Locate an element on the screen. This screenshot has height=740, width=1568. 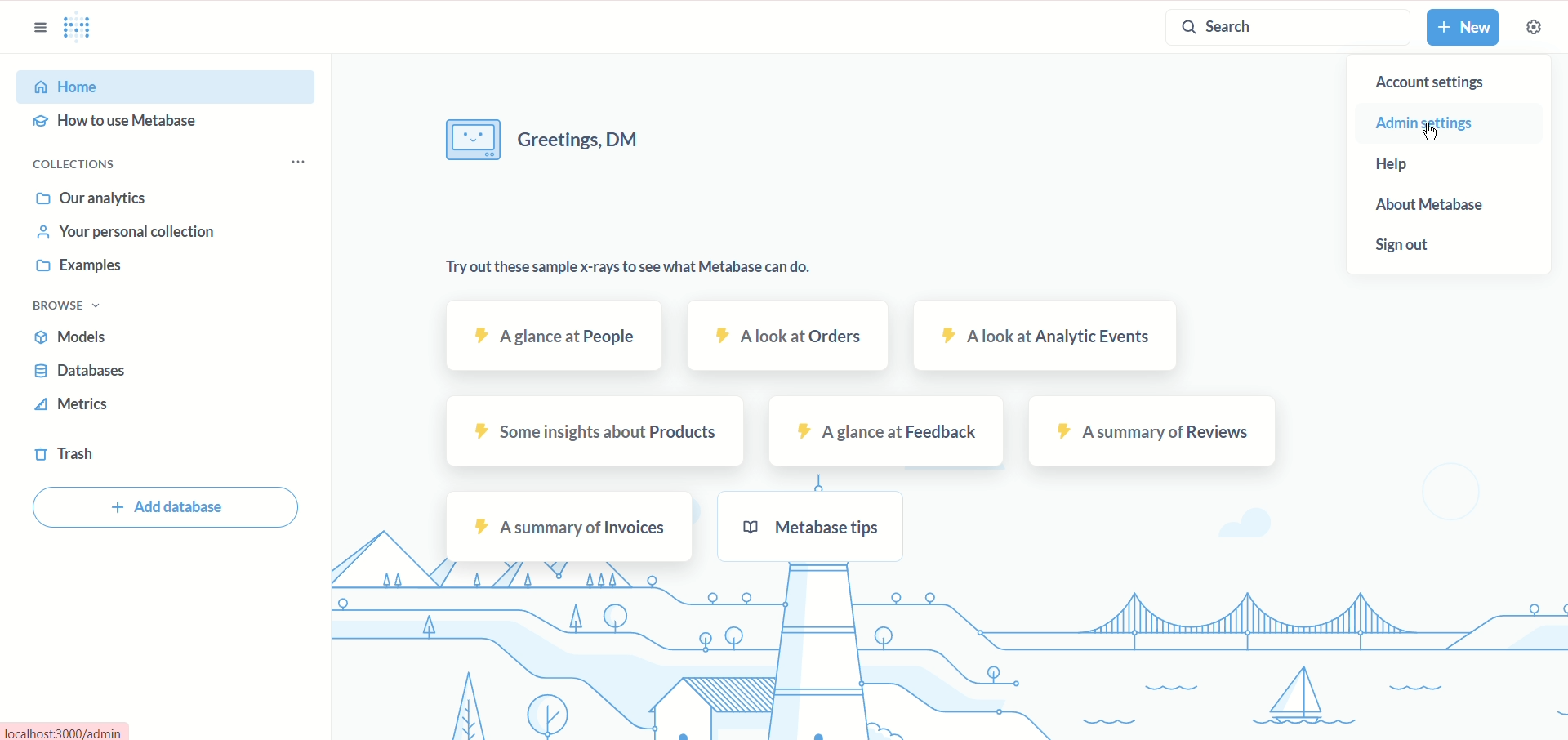
Trash is located at coordinates (130, 455).